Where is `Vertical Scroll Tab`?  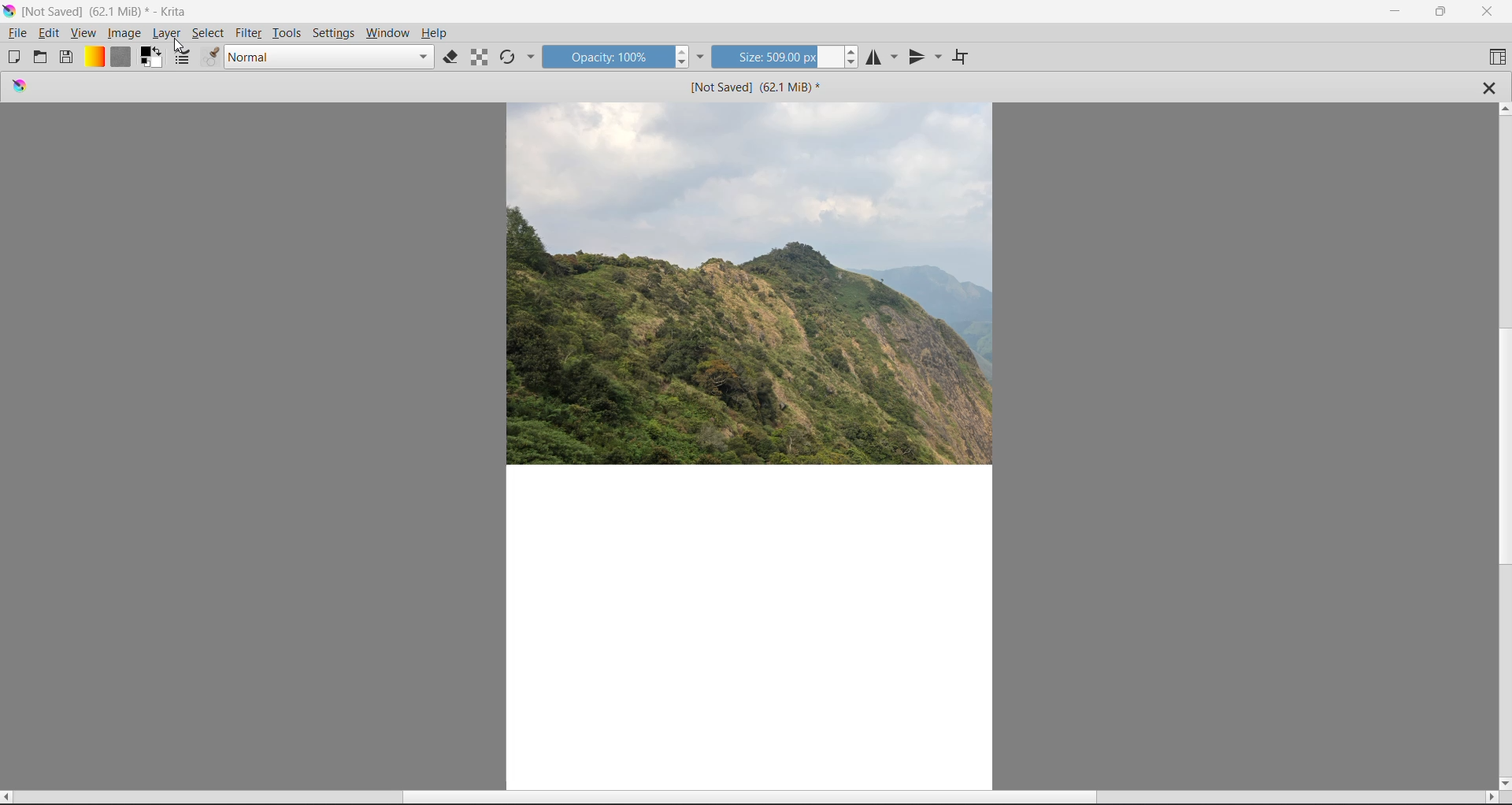
Vertical Scroll Tab is located at coordinates (1503, 445).